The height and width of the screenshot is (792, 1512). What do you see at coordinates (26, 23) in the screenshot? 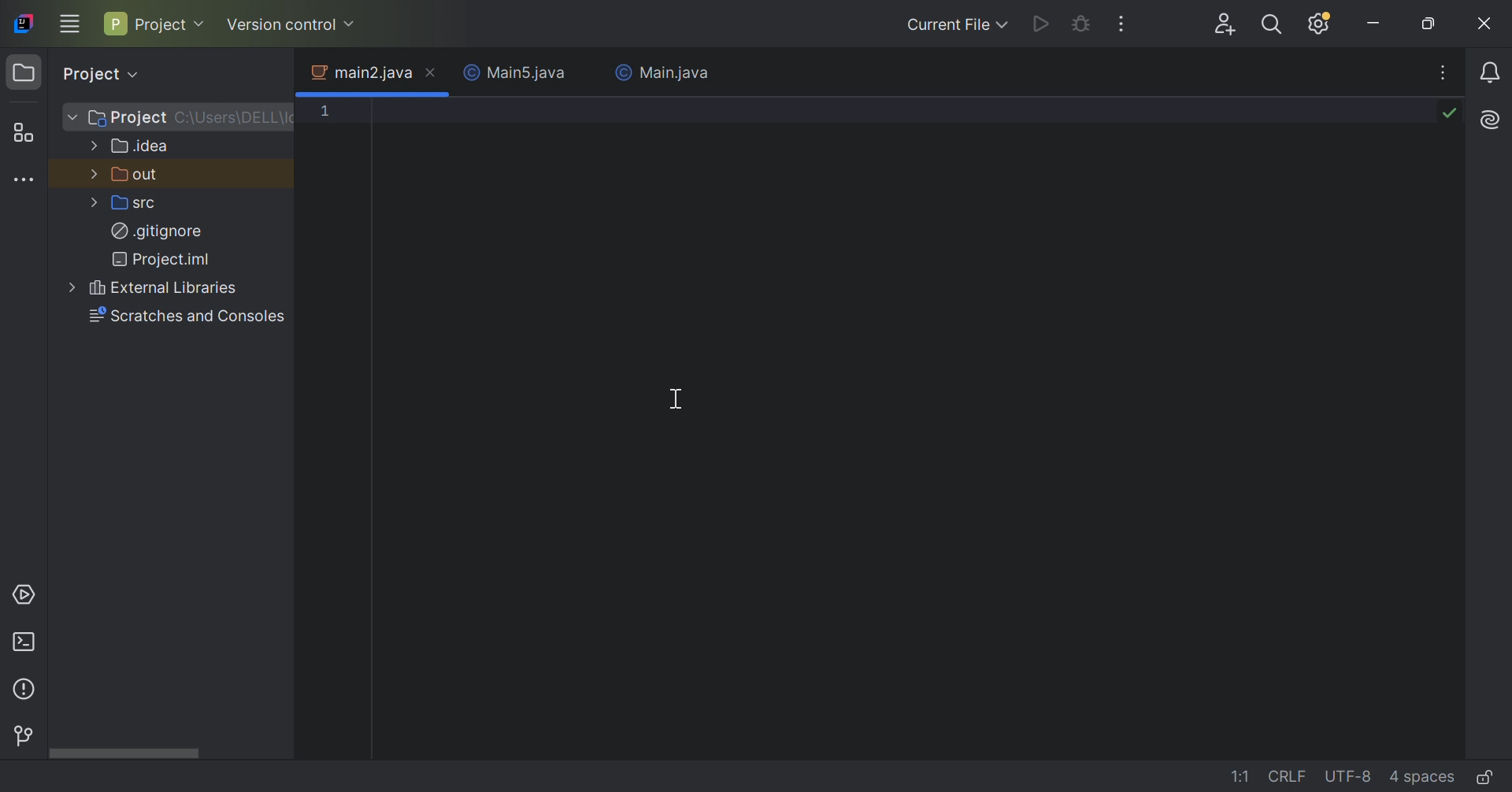
I see `IntelliJ IDEA icon` at bounding box center [26, 23].